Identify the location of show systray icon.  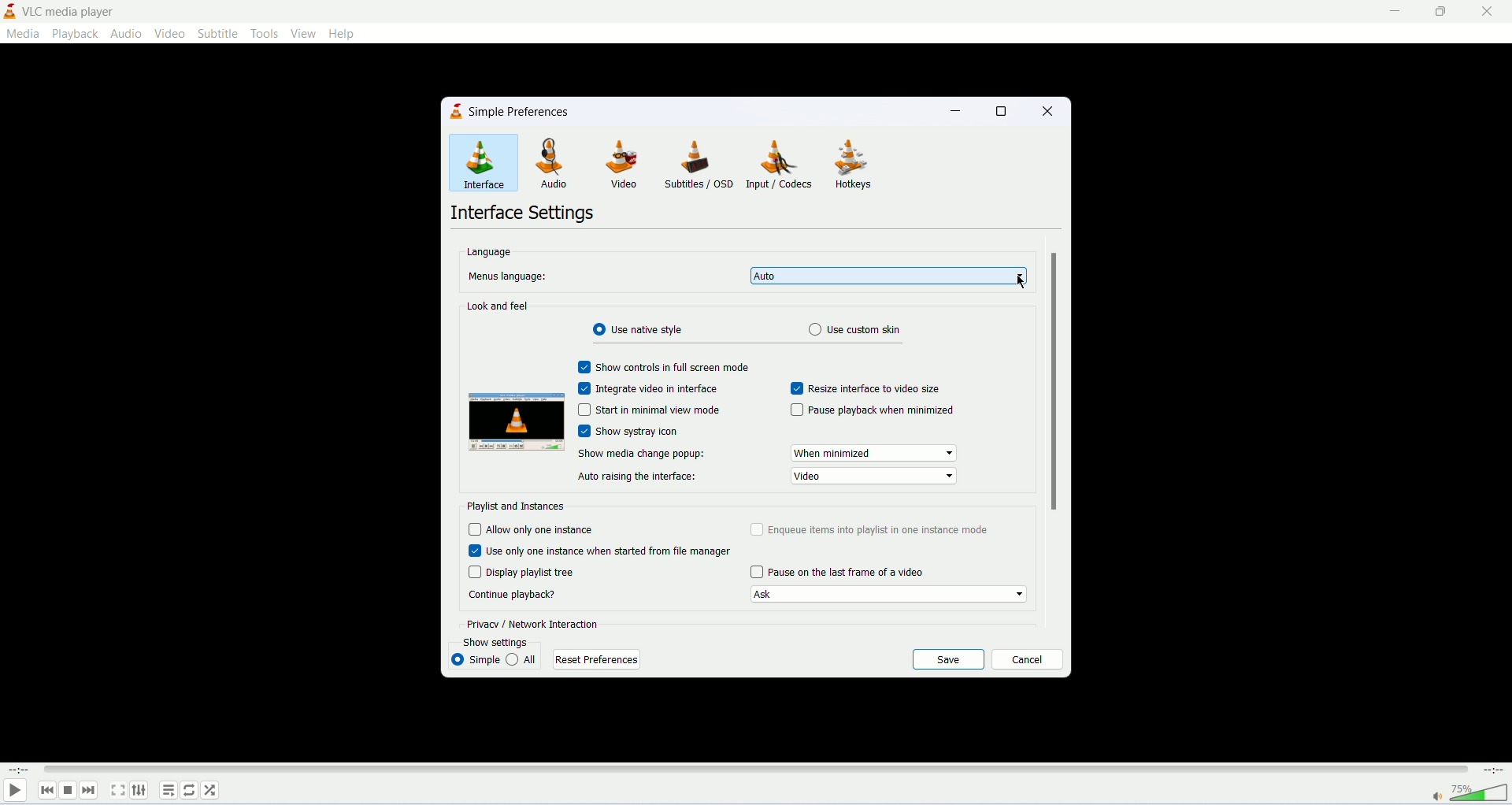
(648, 431).